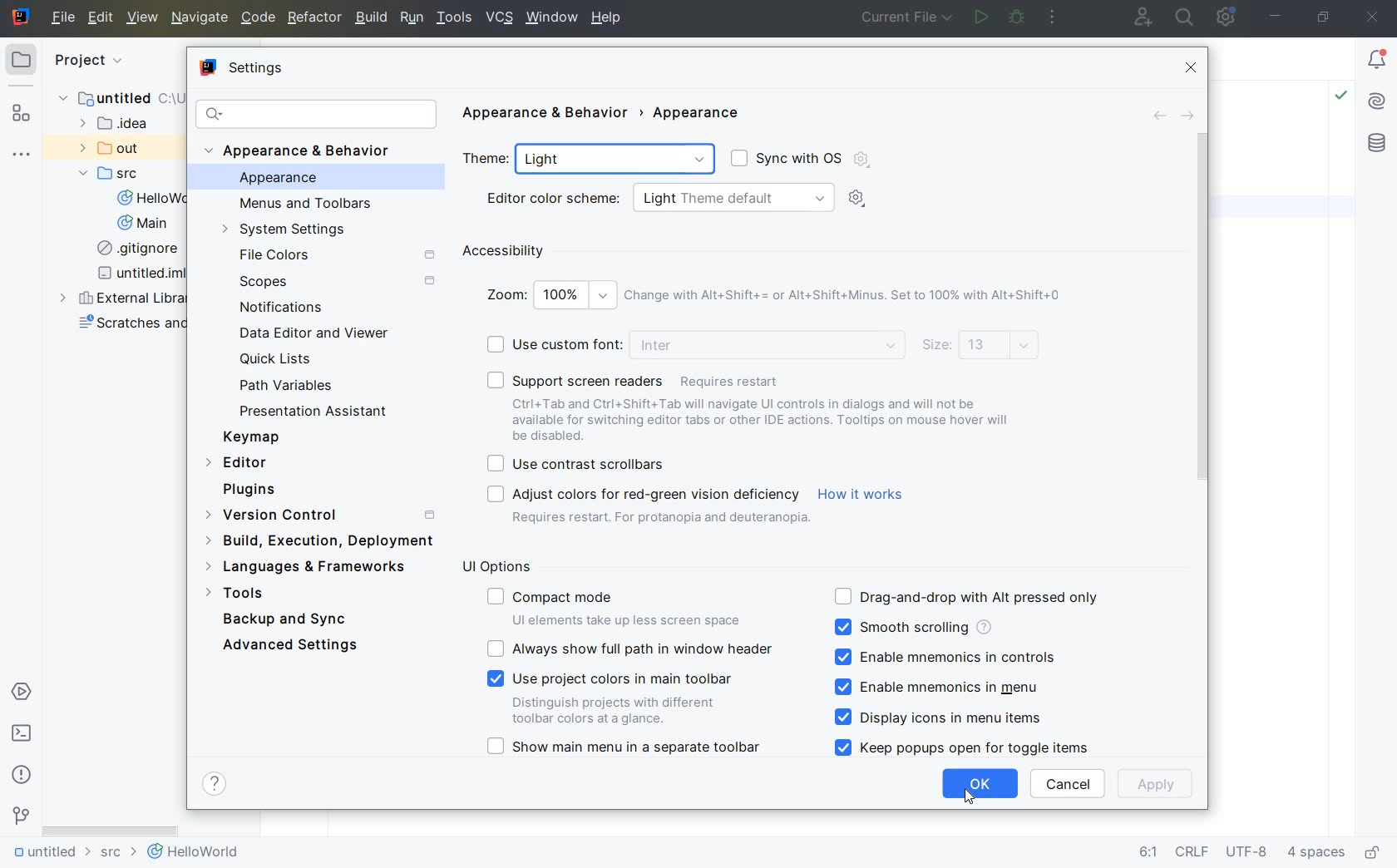 The width and height of the screenshot is (1397, 868). Describe the element at coordinates (629, 749) in the screenshot. I see `show main menu in a separate toolbar` at that location.